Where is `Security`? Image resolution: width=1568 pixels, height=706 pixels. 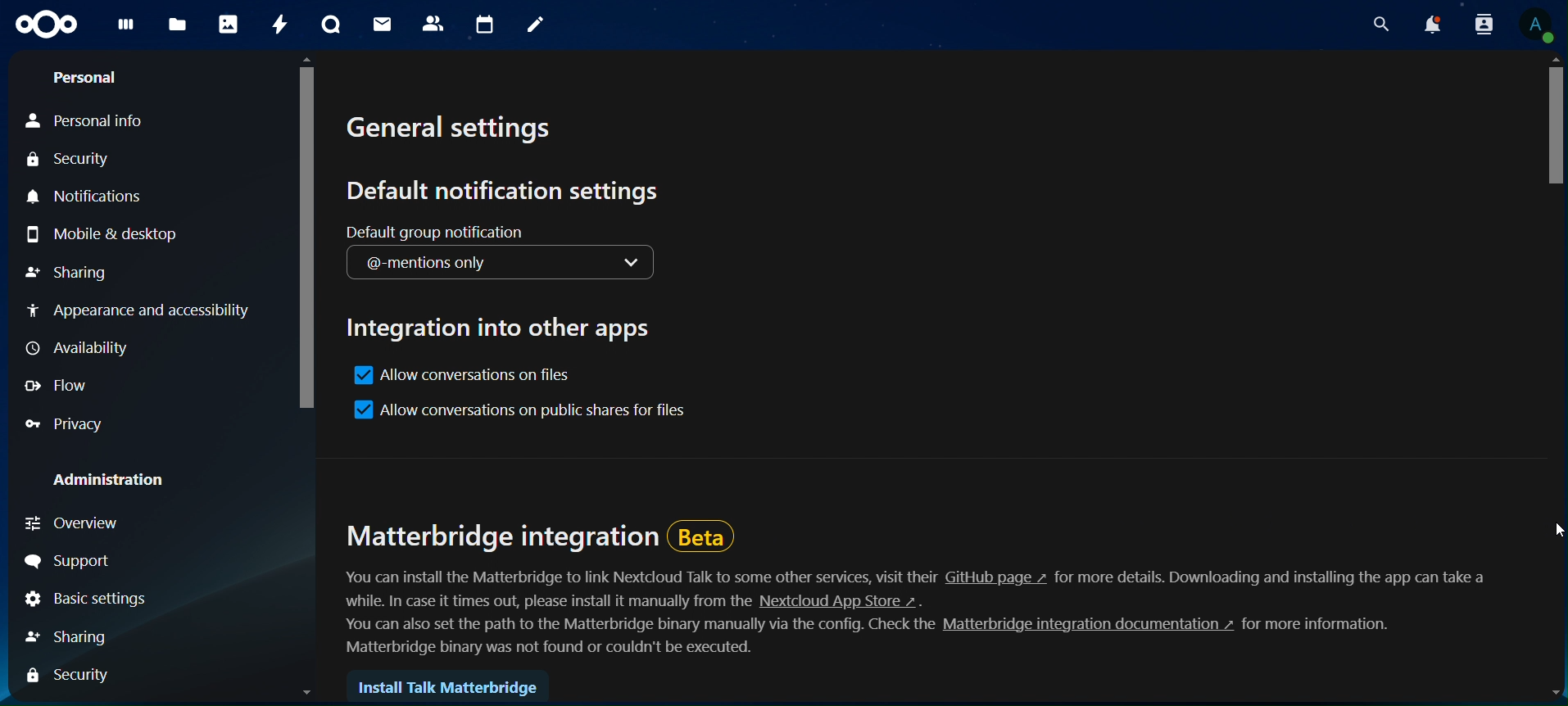
Security is located at coordinates (69, 159).